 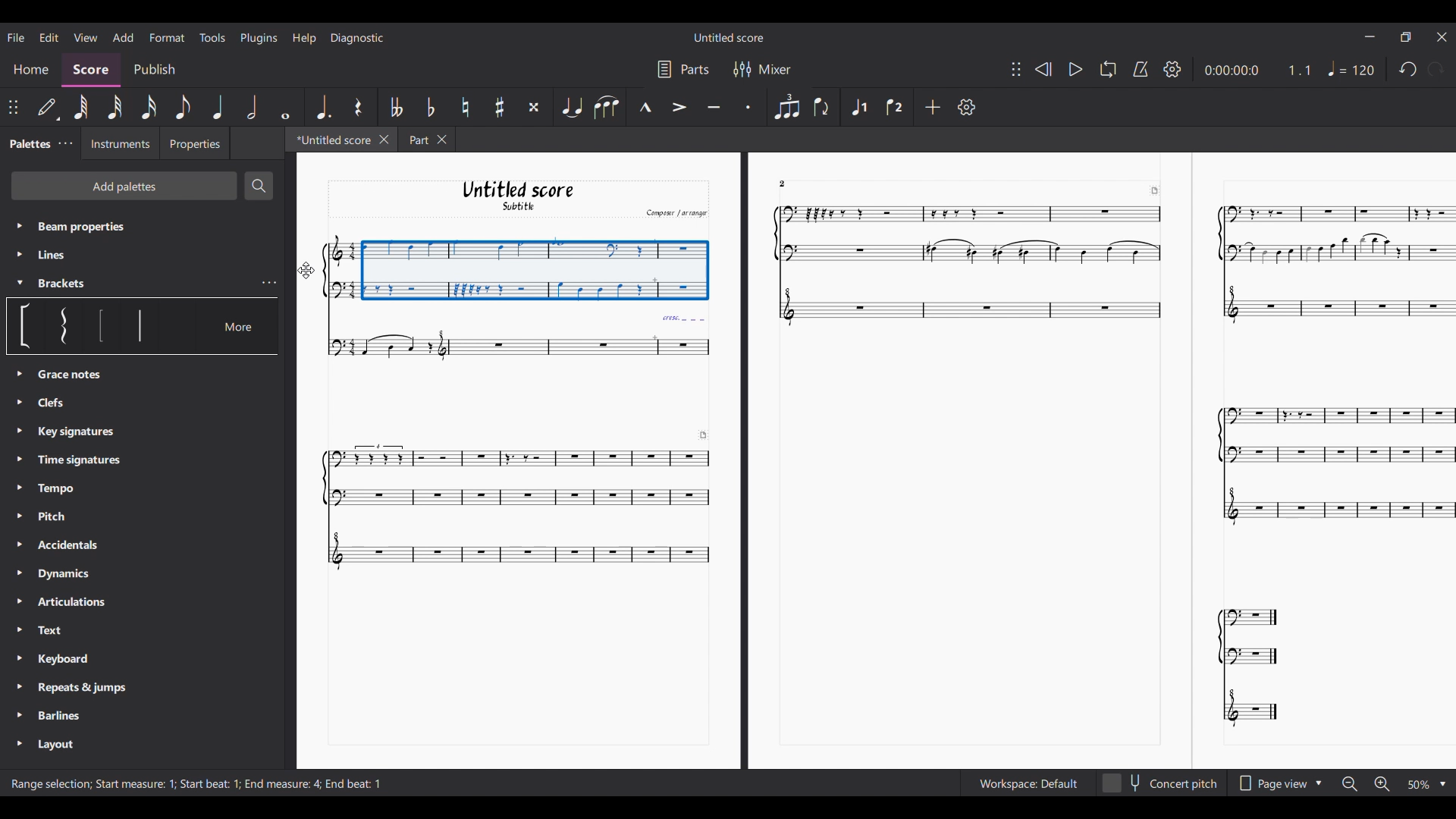 What do you see at coordinates (1354, 68) in the screenshot?
I see `Tempo` at bounding box center [1354, 68].